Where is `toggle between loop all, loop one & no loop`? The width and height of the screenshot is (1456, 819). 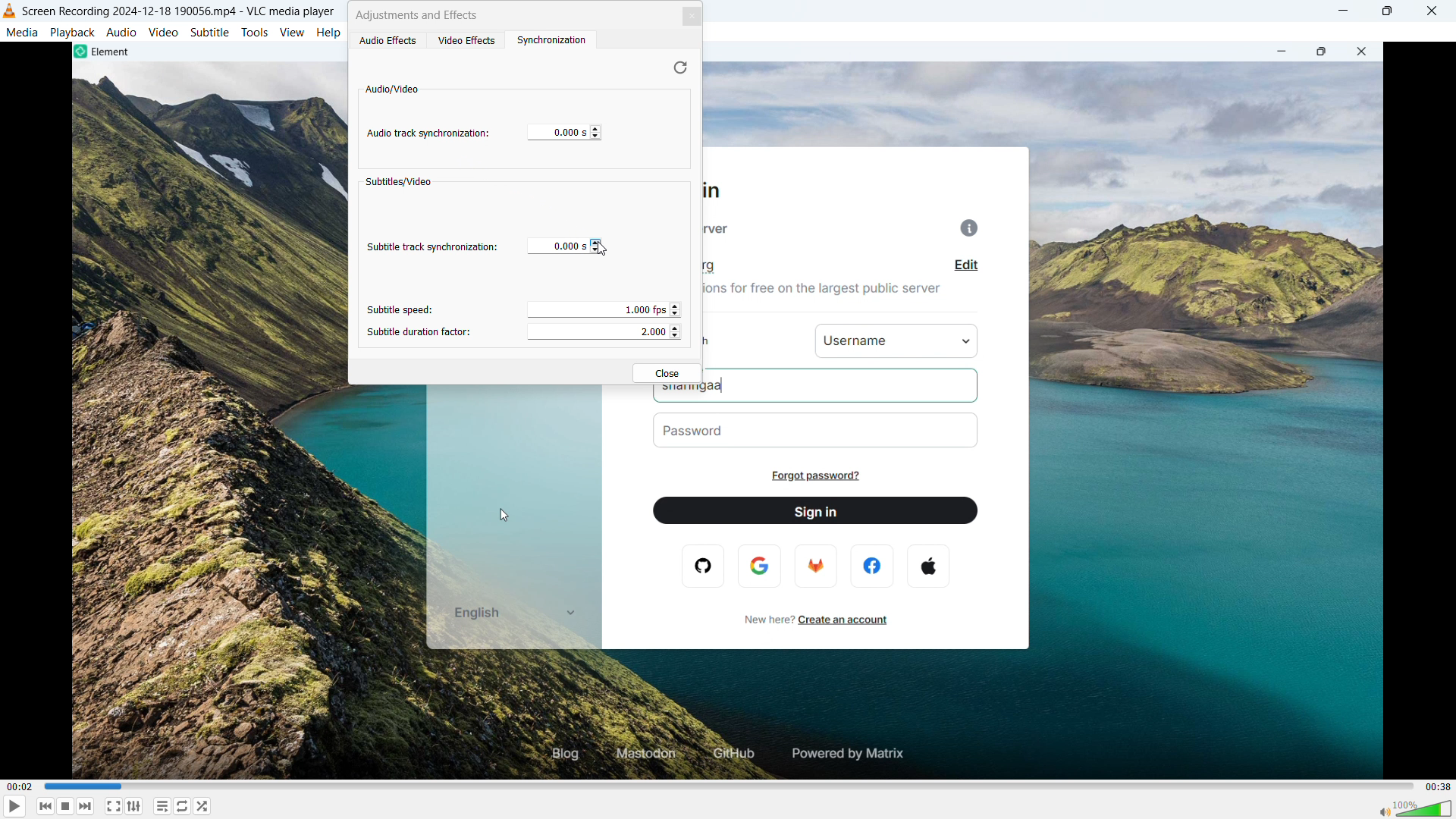 toggle between loop all, loop one & no loop is located at coordinates (183, 806).